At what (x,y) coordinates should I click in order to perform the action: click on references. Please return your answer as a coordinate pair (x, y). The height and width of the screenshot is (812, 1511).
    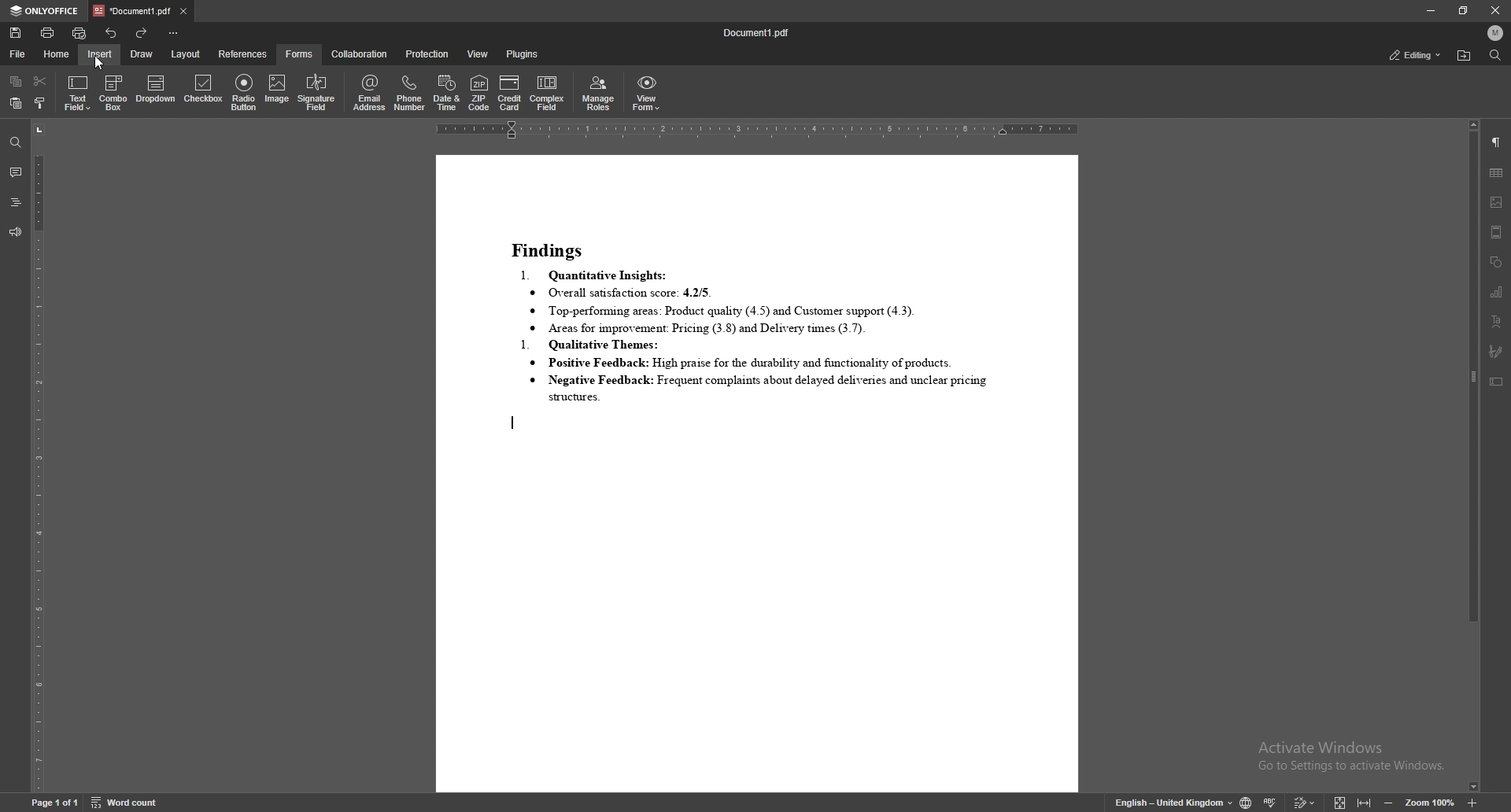
    Looking at the image, I should click on (243, 54).